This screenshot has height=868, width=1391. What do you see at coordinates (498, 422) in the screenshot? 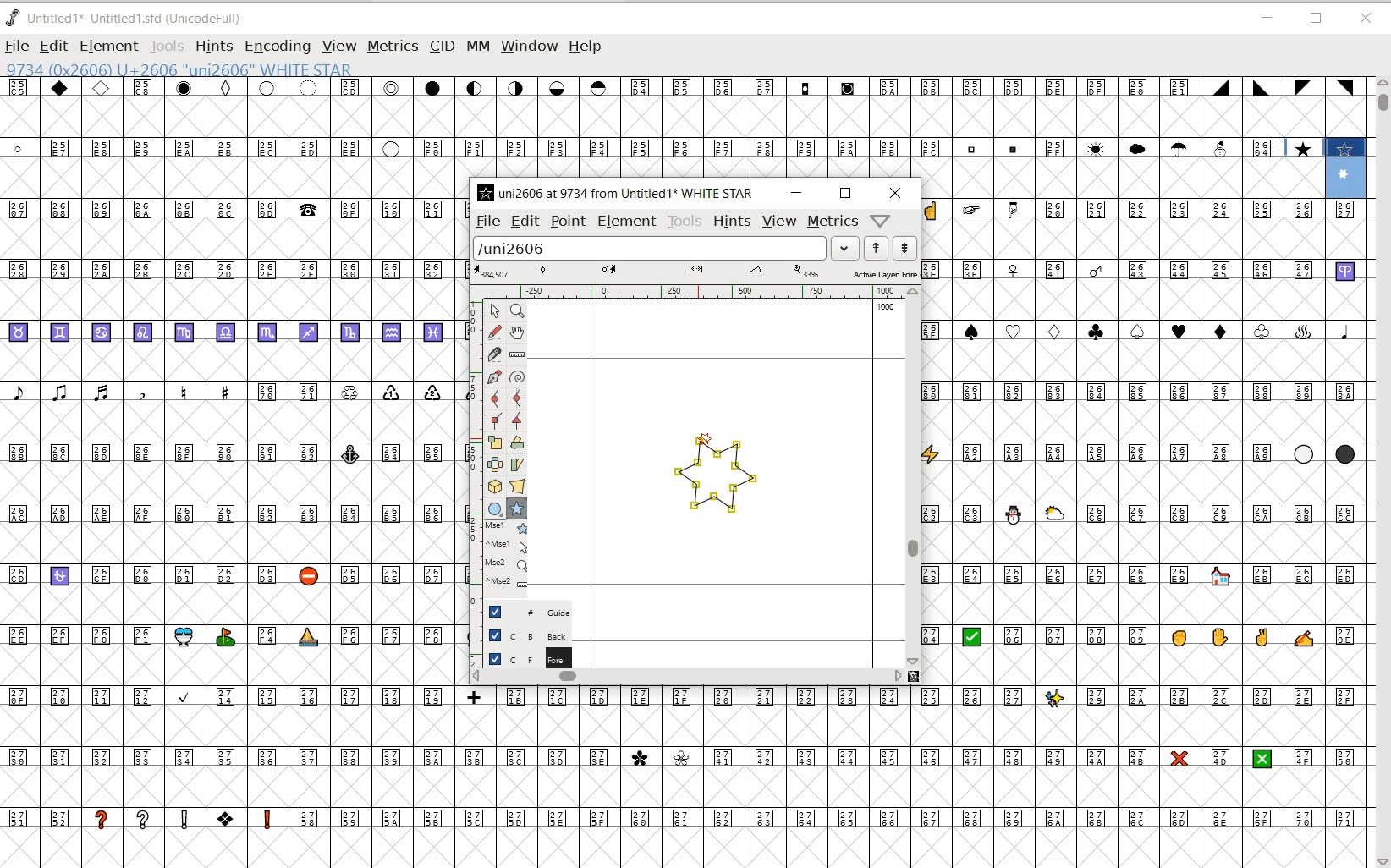
I see `ADD A CORNER POINT` at bounding box center [498, 422].